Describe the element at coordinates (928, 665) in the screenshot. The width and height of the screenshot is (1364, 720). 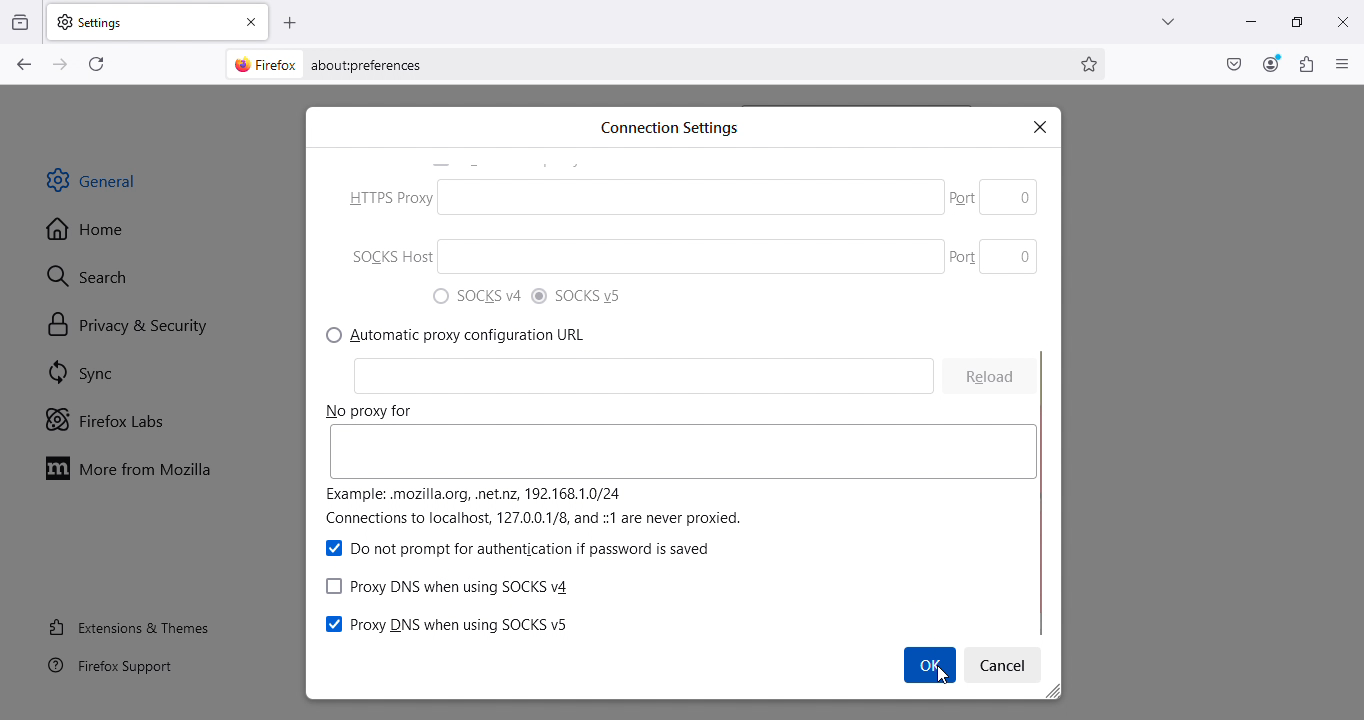
I see `Cursor` at that location.